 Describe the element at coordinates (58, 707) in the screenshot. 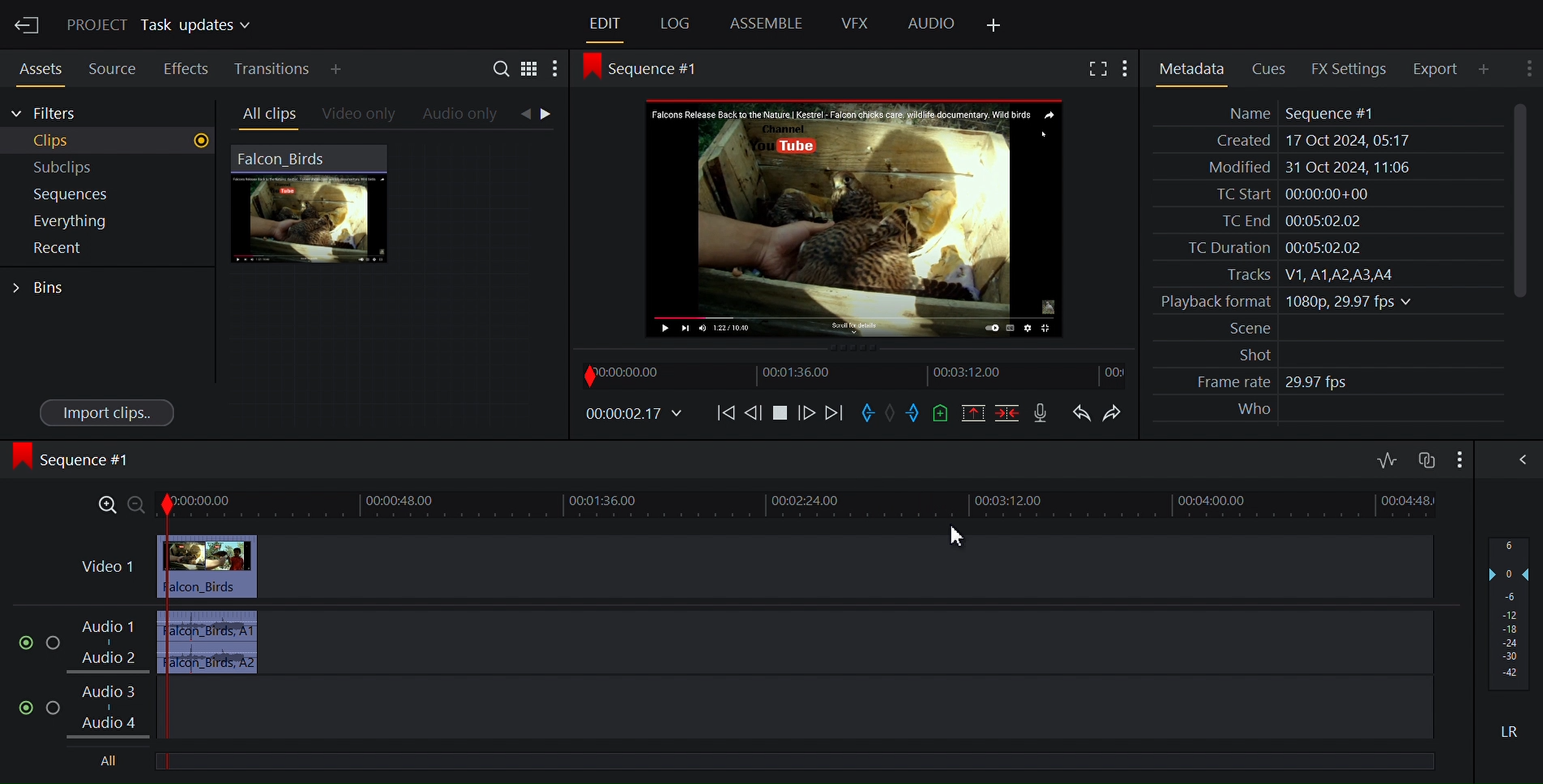

I see `Solo this track` at that location.